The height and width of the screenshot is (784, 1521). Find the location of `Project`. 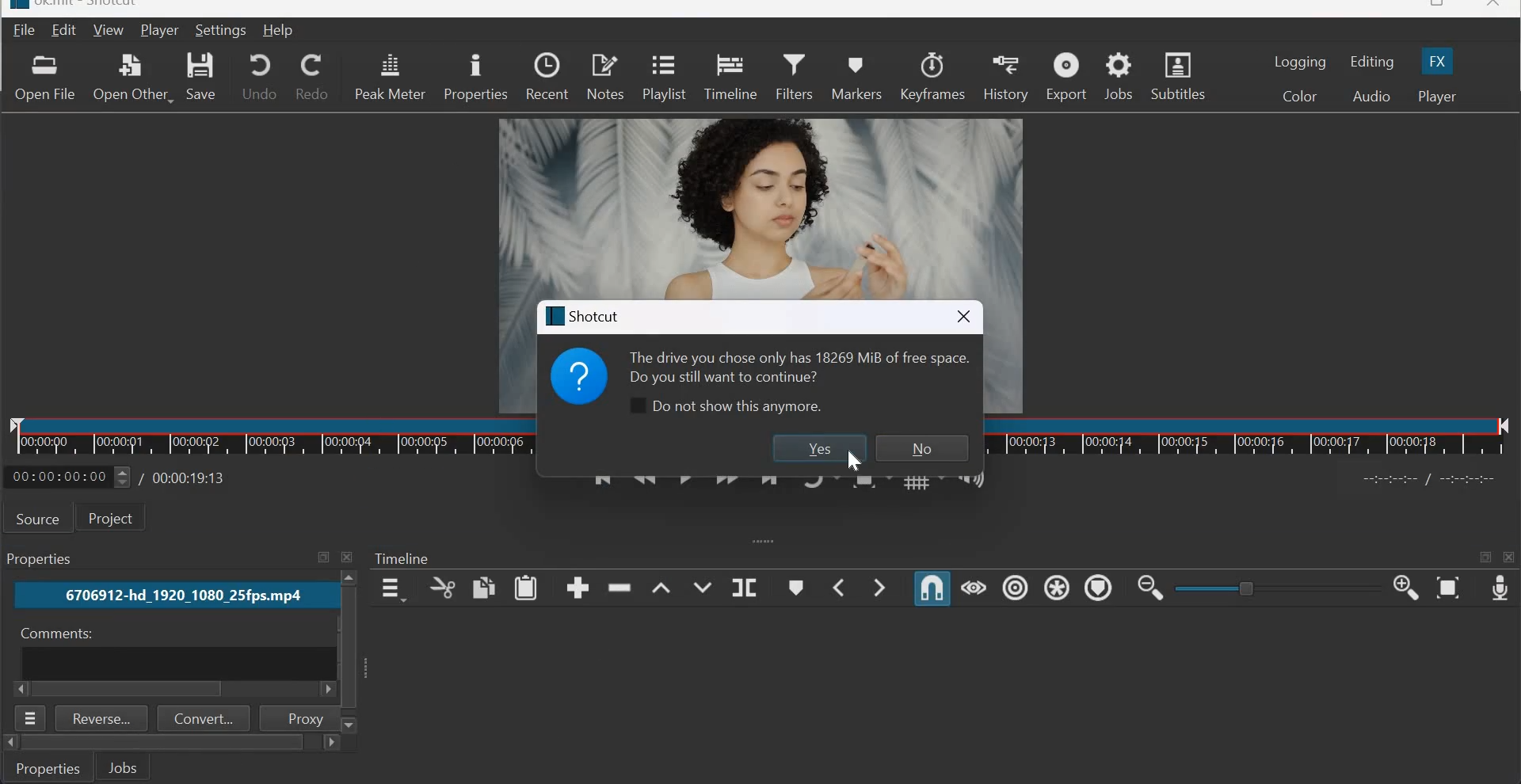

Project is located at coordinates (116, 518).